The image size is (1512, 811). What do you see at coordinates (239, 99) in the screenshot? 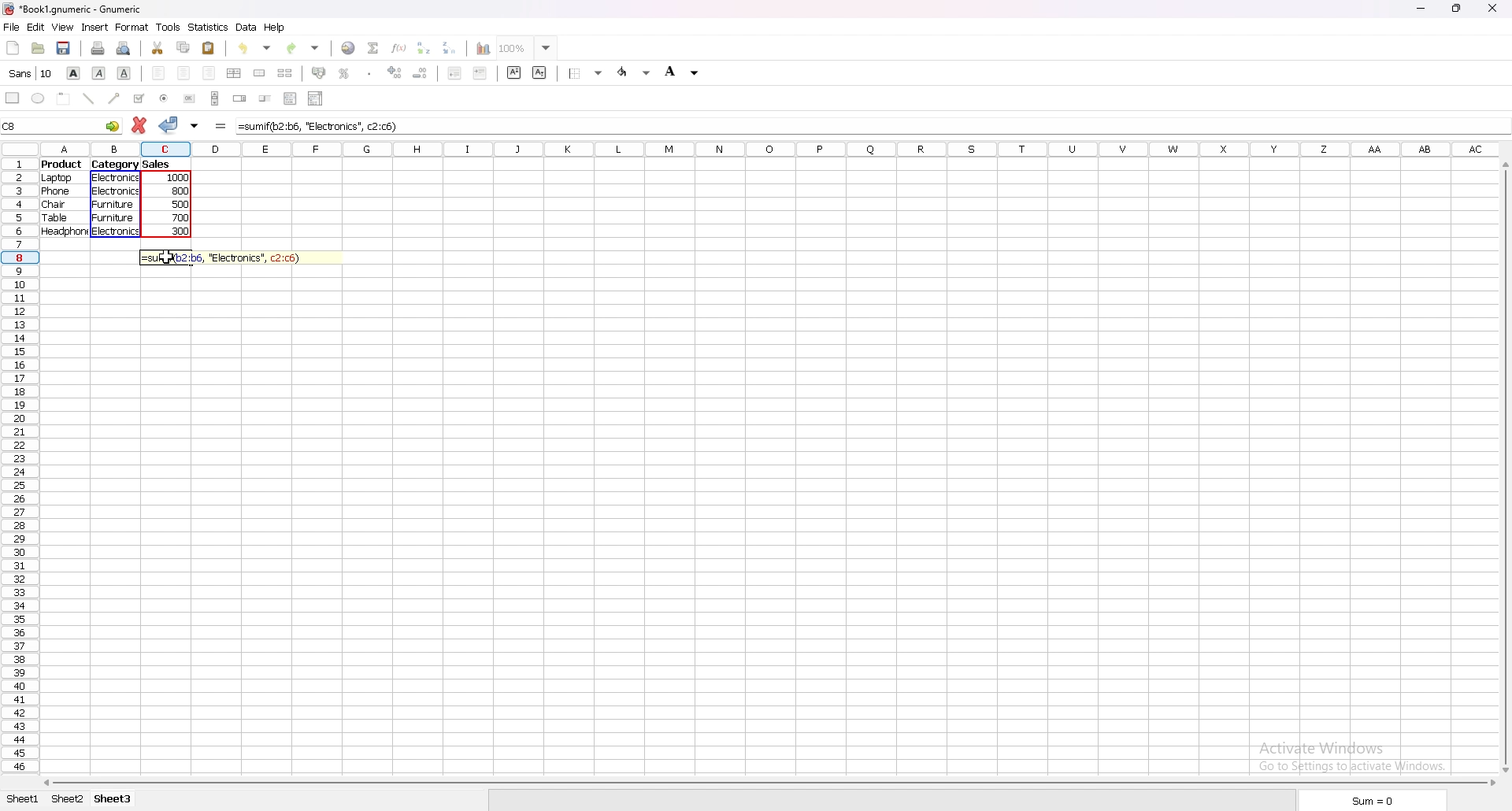
I see `spin button` at bounding box center [239, 99].